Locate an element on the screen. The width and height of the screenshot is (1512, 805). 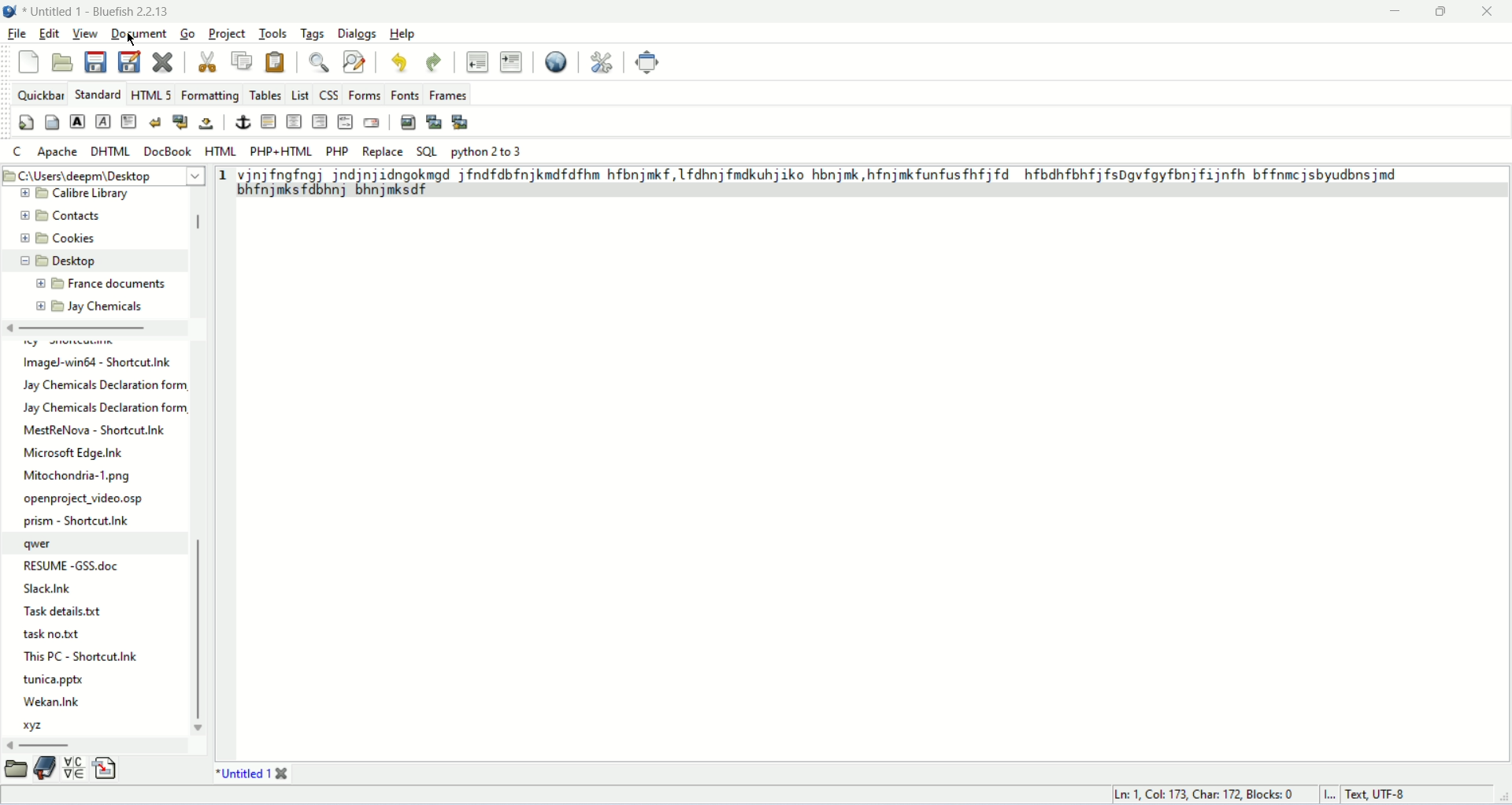
PHP+HTML is located at coordinates (281, 153).